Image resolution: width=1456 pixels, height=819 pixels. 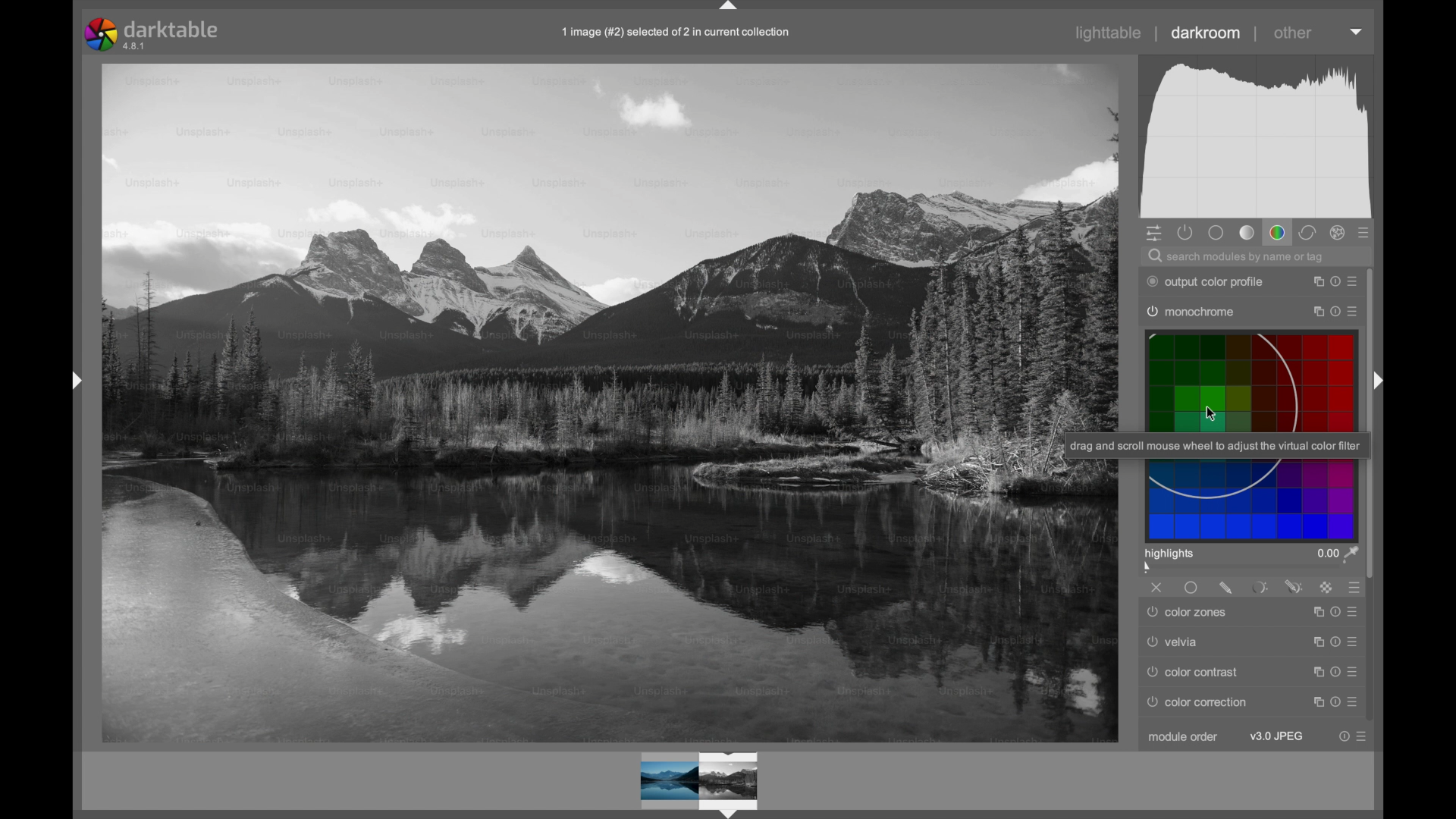 I want to click on tone, so click(x=1247, y=232).